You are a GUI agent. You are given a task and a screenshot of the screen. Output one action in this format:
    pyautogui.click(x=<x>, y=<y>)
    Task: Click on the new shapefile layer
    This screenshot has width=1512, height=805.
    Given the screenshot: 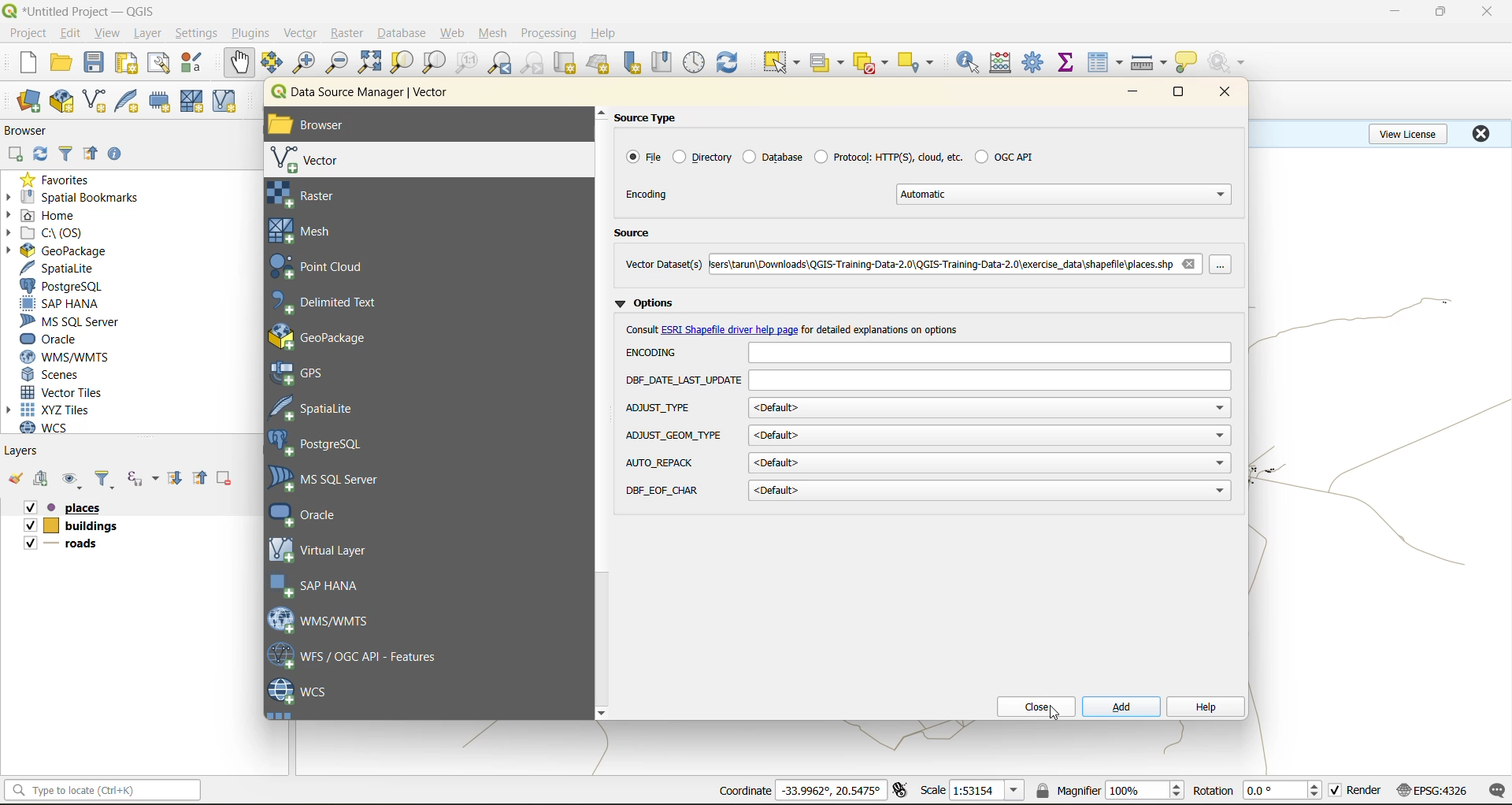 What is the action you would take?
    pyautogui.click(x=95, y=102)
    